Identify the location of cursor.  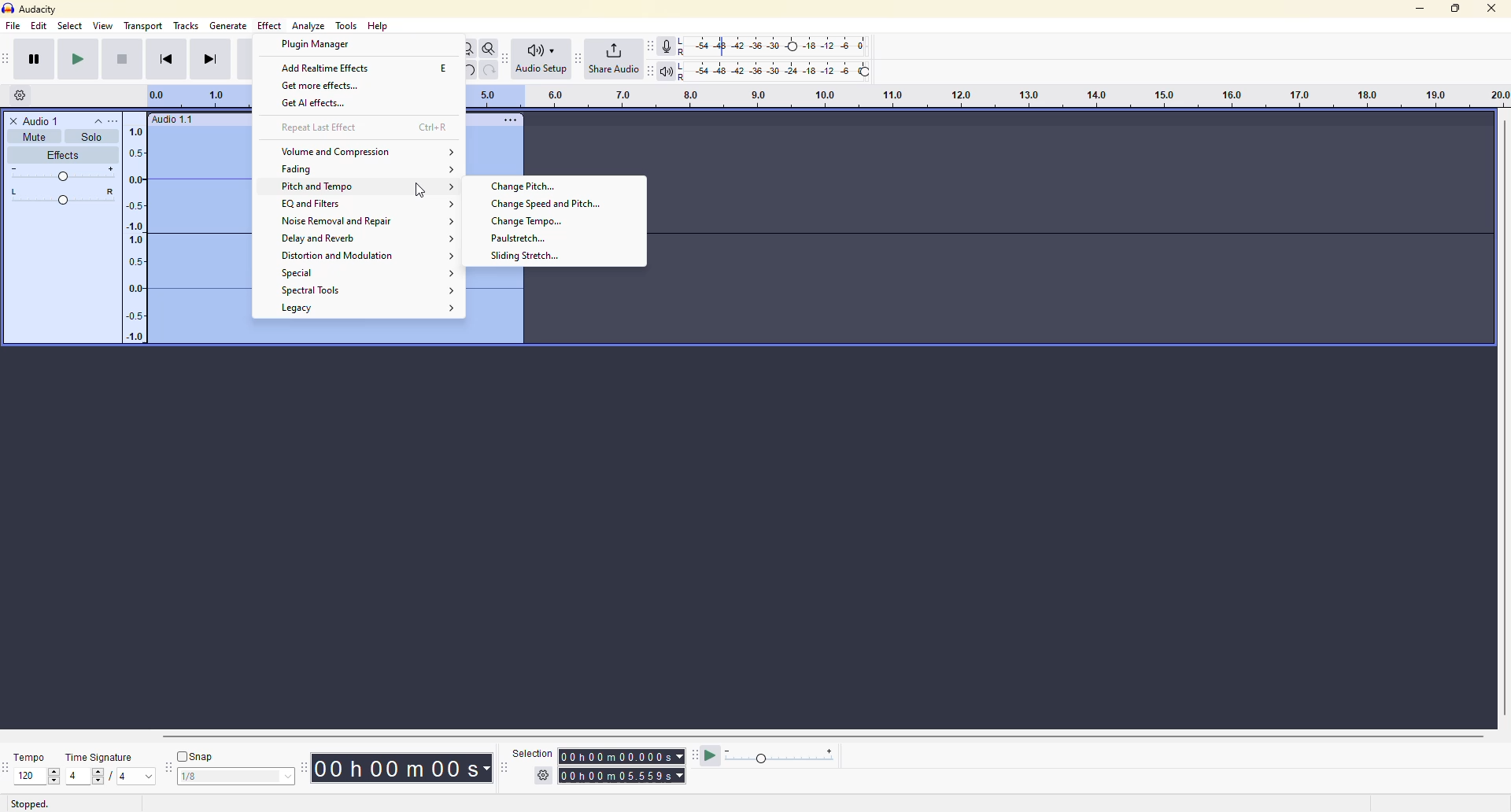
(420, 190).